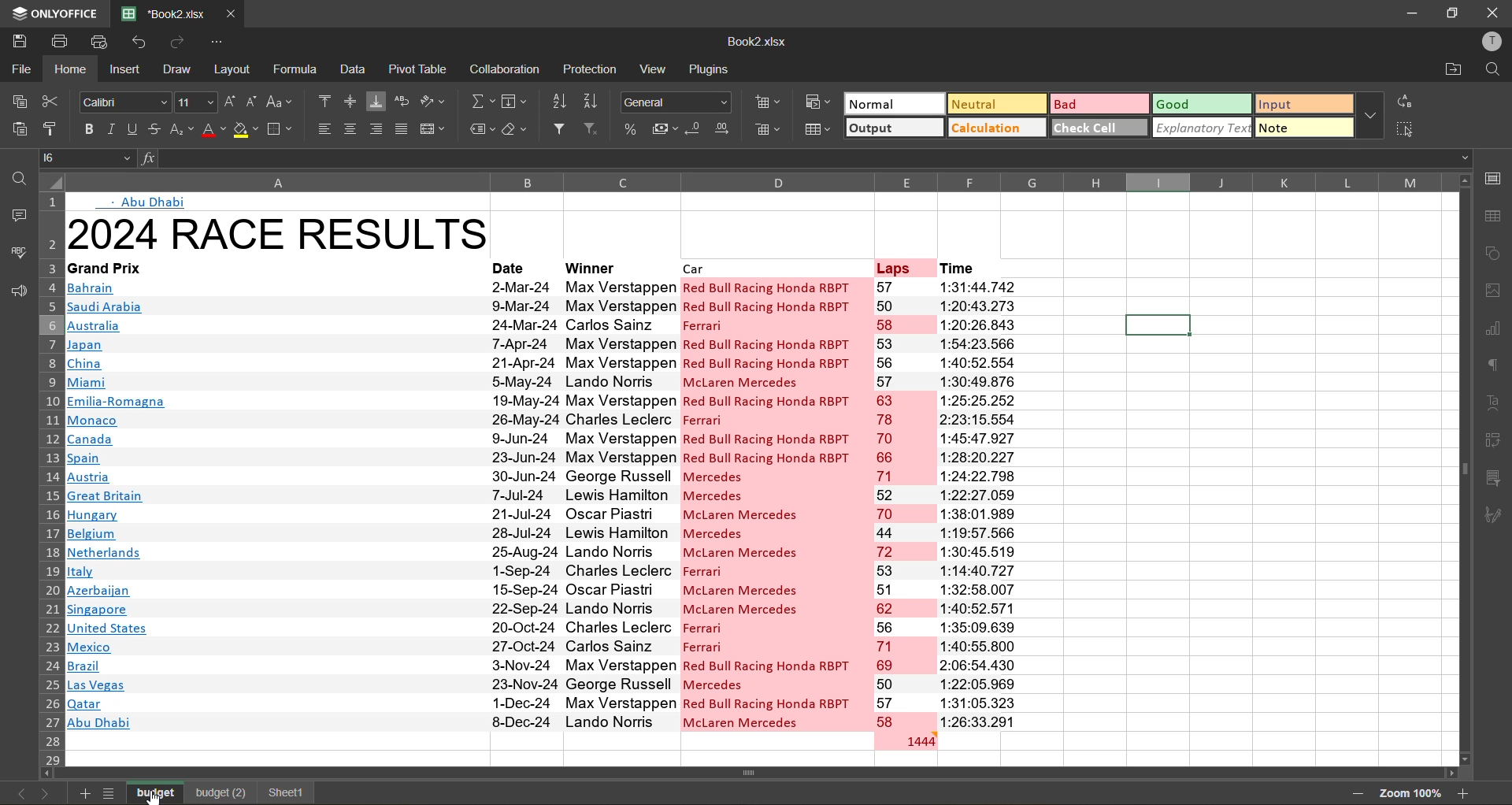 This screenshot has height=805, width=1512. What do you see at coordinates (124, 71) in the screenshot?
I see `insert` at bounding box center [124, 71].